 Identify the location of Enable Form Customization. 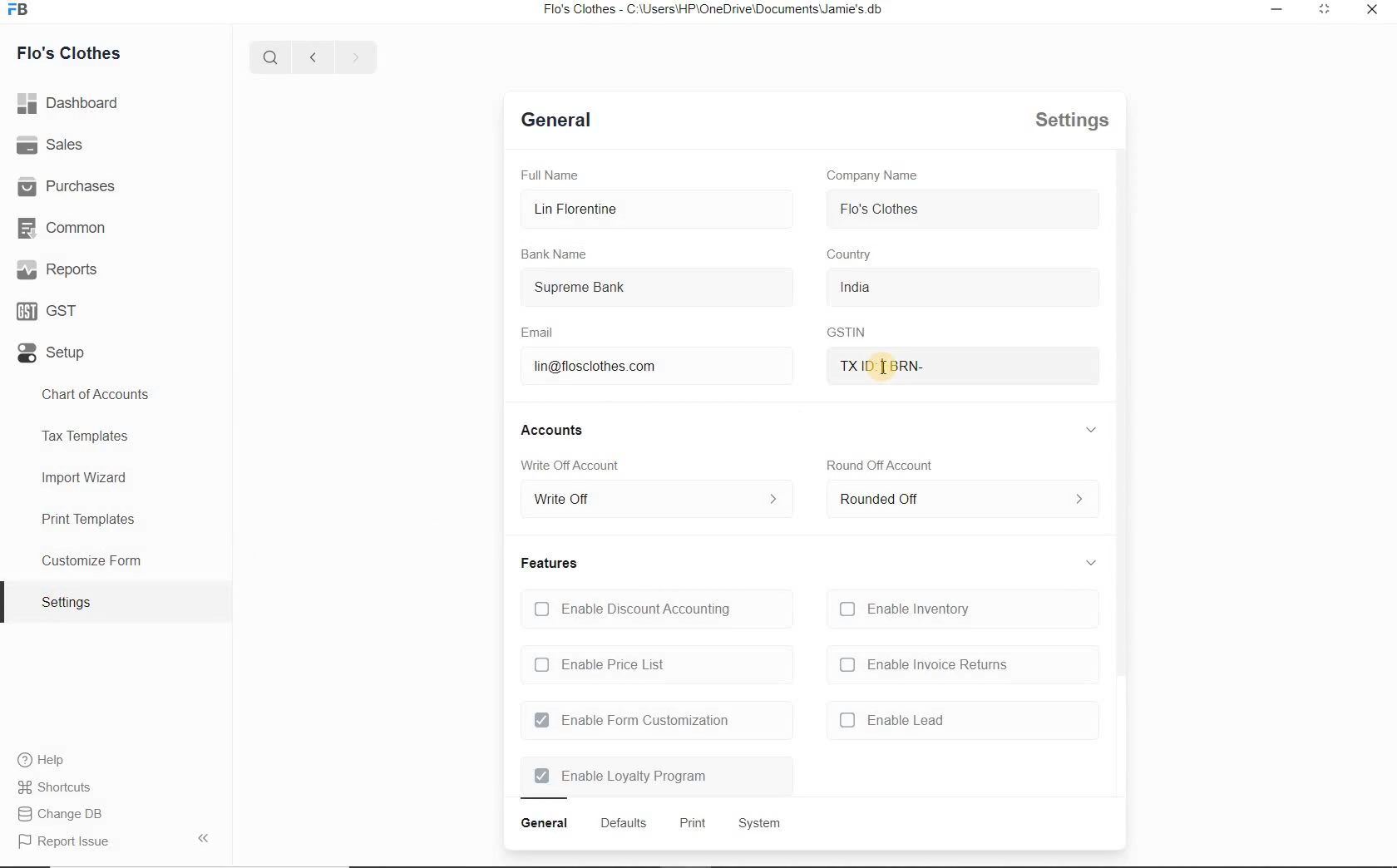
(631, 721).